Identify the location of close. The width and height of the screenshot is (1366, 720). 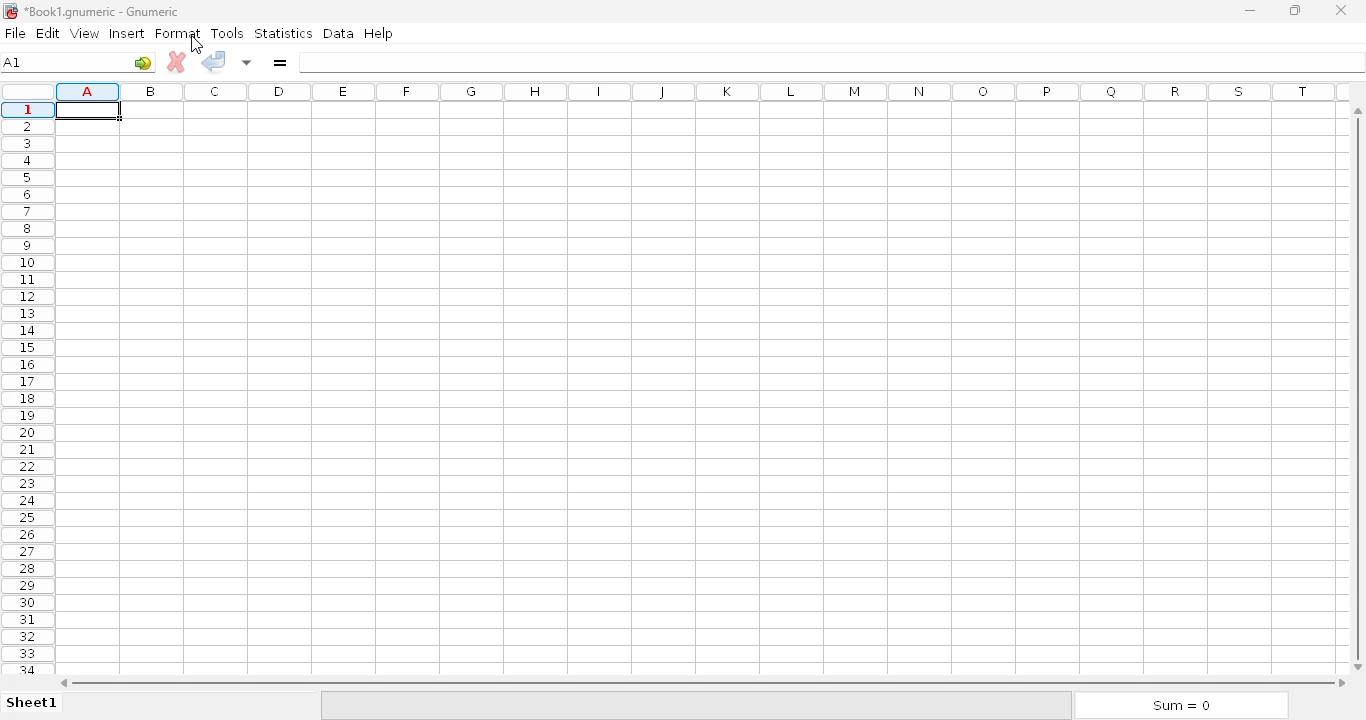
(1341, 10).